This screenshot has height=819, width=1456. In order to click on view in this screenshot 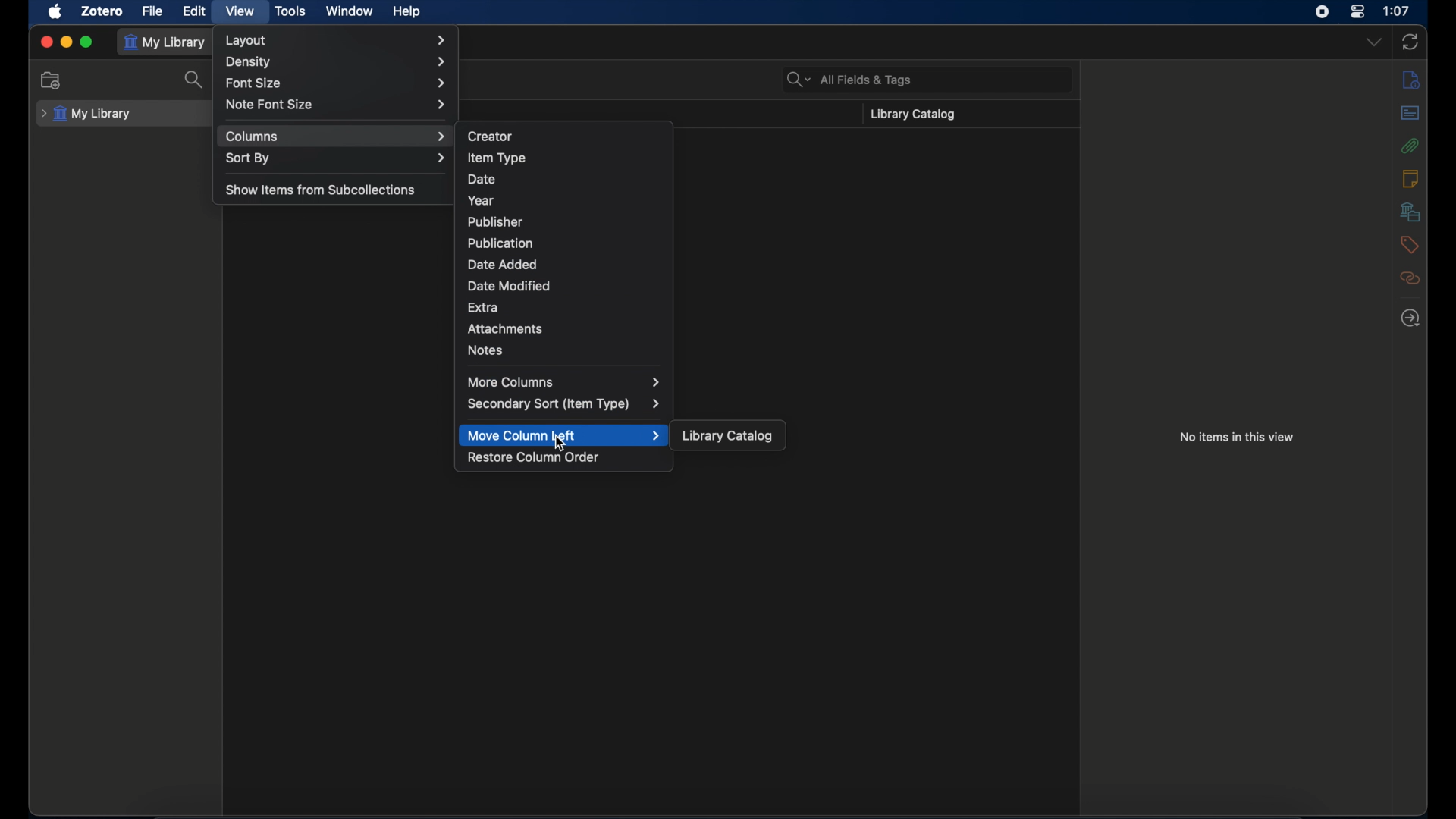, I will do `click(240, 12)`.